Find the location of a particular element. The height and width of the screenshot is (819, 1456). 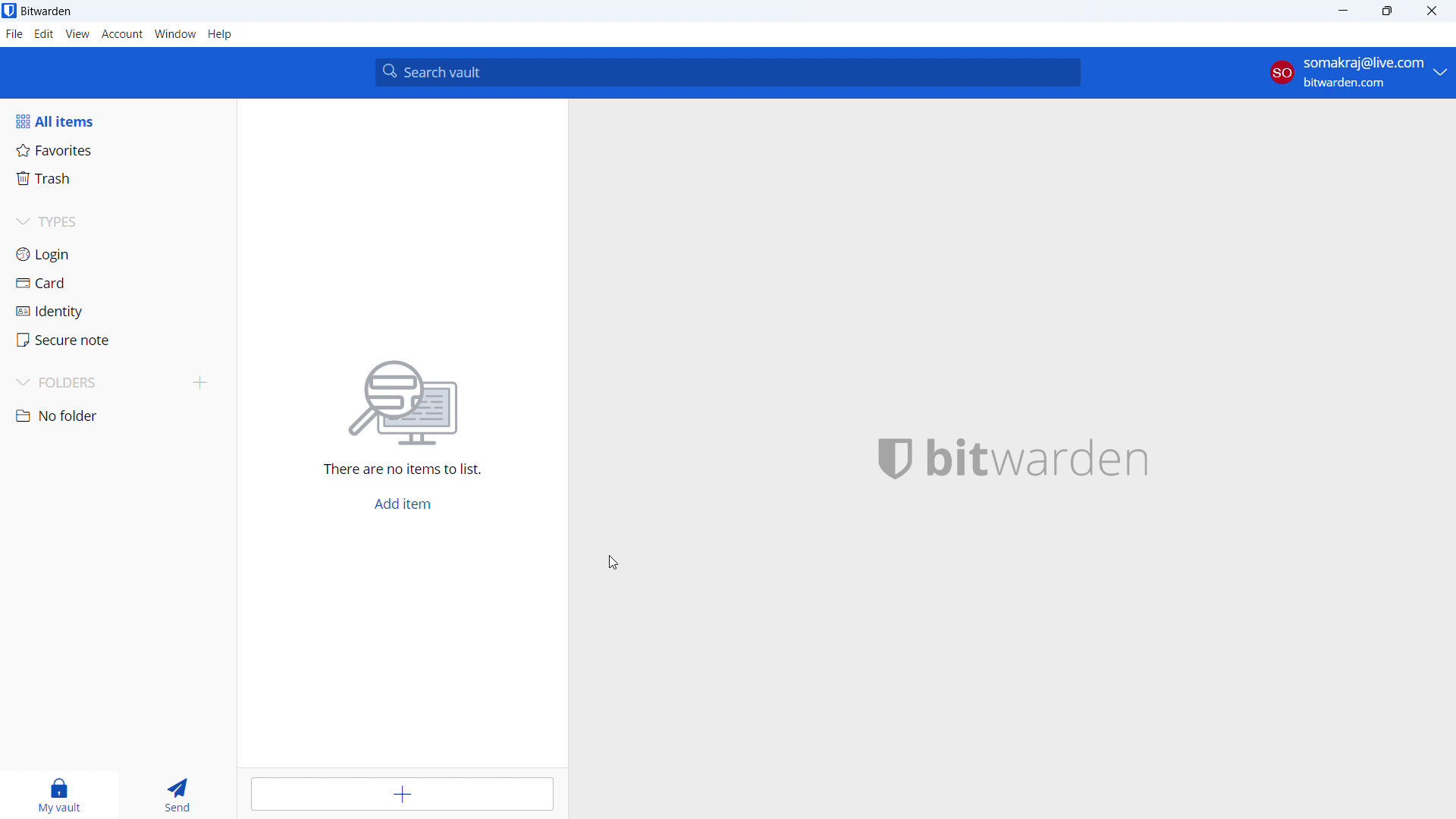

add folders is located at coordinates (198, 383).